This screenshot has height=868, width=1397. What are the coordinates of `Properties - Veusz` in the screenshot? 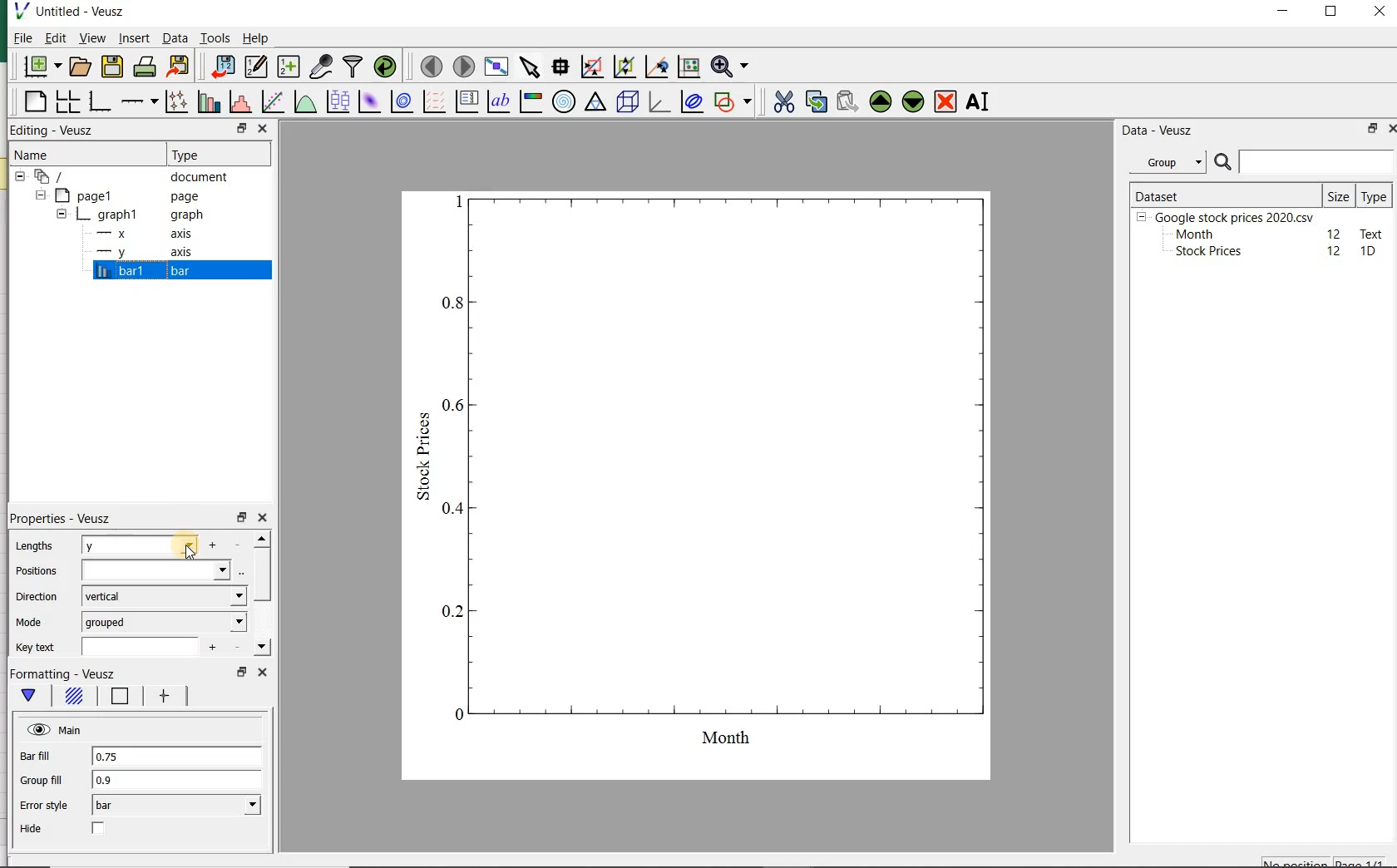 It's located at (65, 519).